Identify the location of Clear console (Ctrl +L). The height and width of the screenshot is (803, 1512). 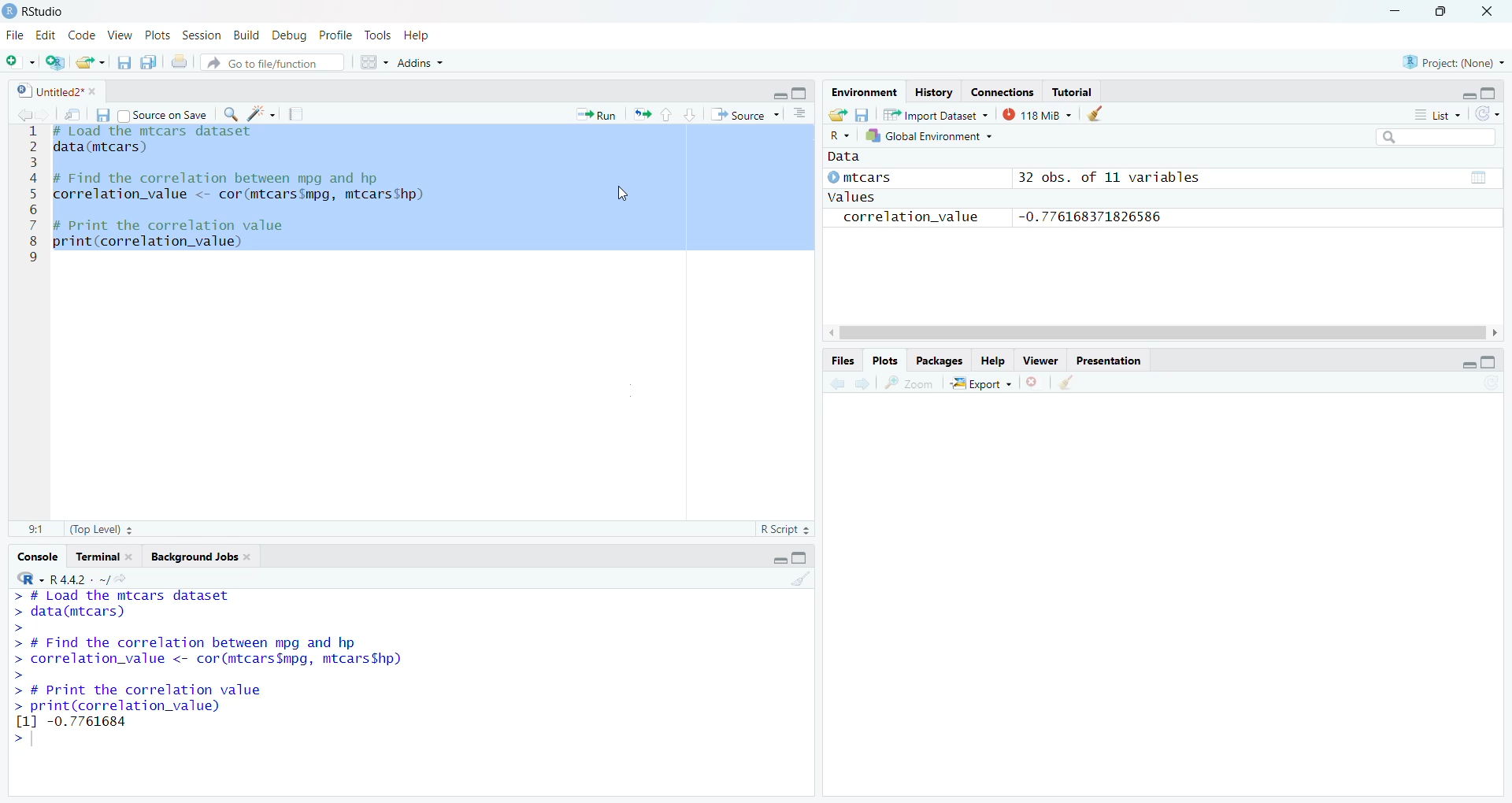
(1101, 113).